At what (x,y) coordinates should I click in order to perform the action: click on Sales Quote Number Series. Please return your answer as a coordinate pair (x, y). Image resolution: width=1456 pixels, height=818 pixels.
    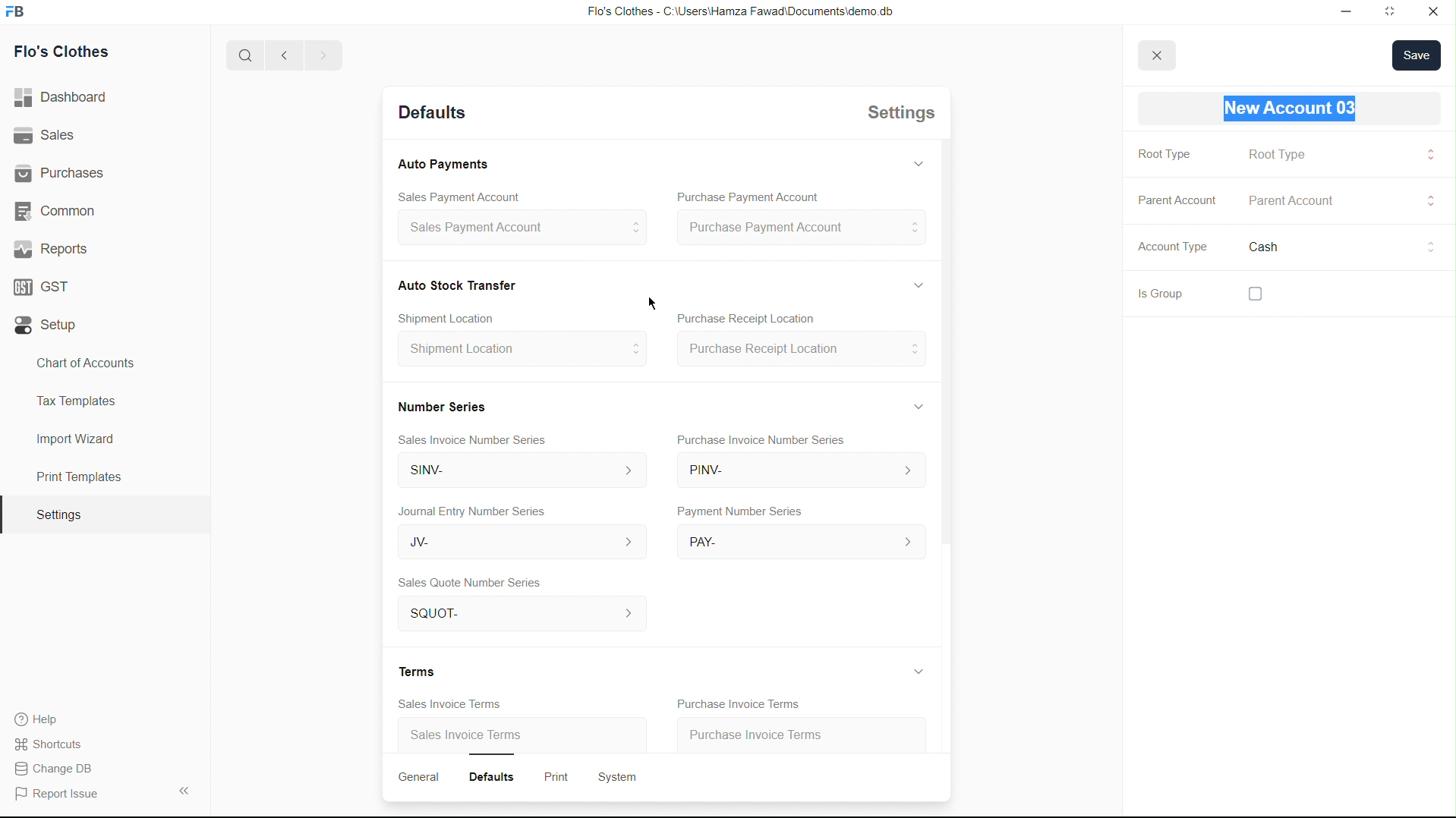
    Looking at the image, I should click on (470, 584).